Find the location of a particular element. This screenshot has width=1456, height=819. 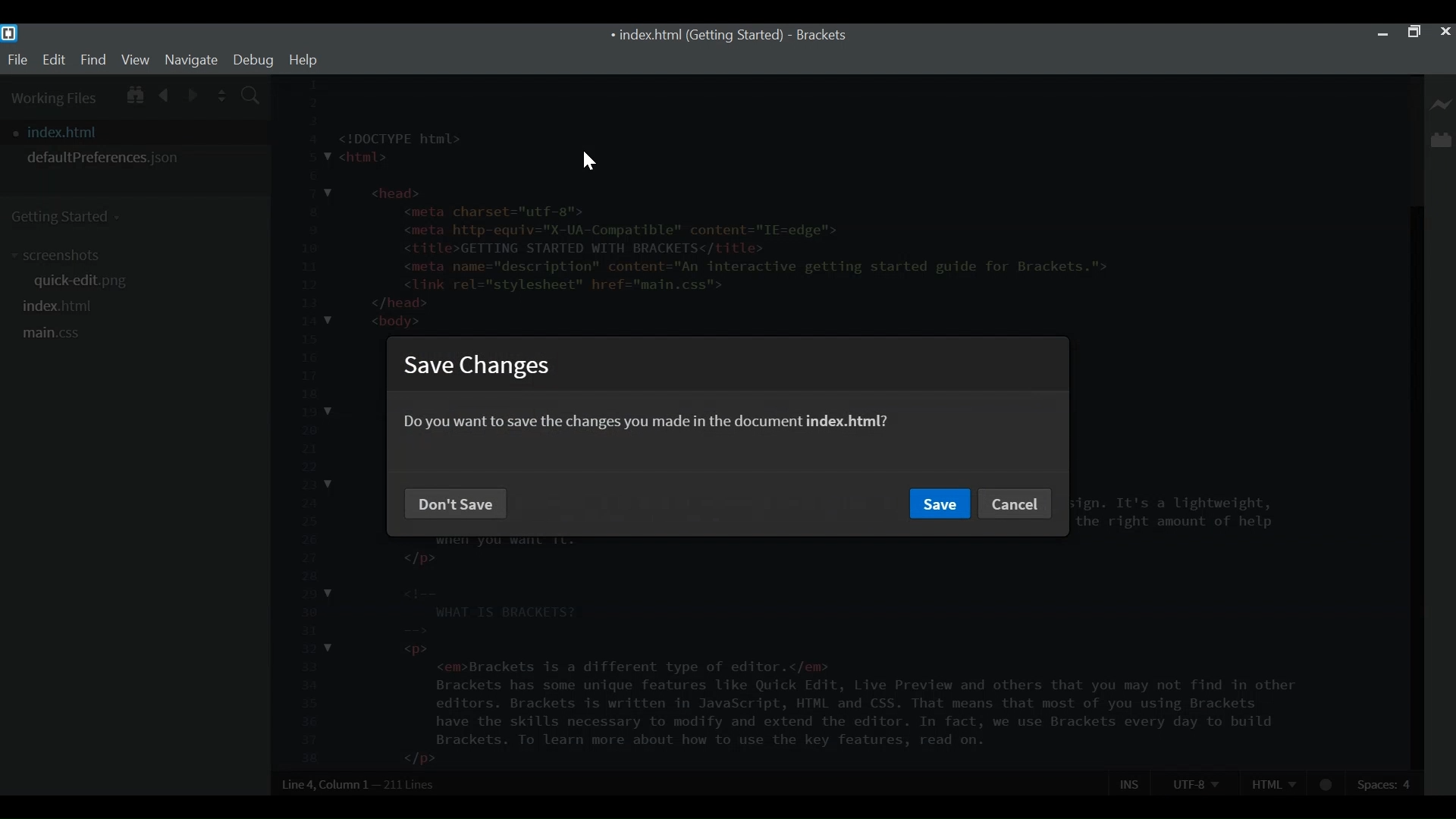

Cancel is located at coordinates (1016, 504).